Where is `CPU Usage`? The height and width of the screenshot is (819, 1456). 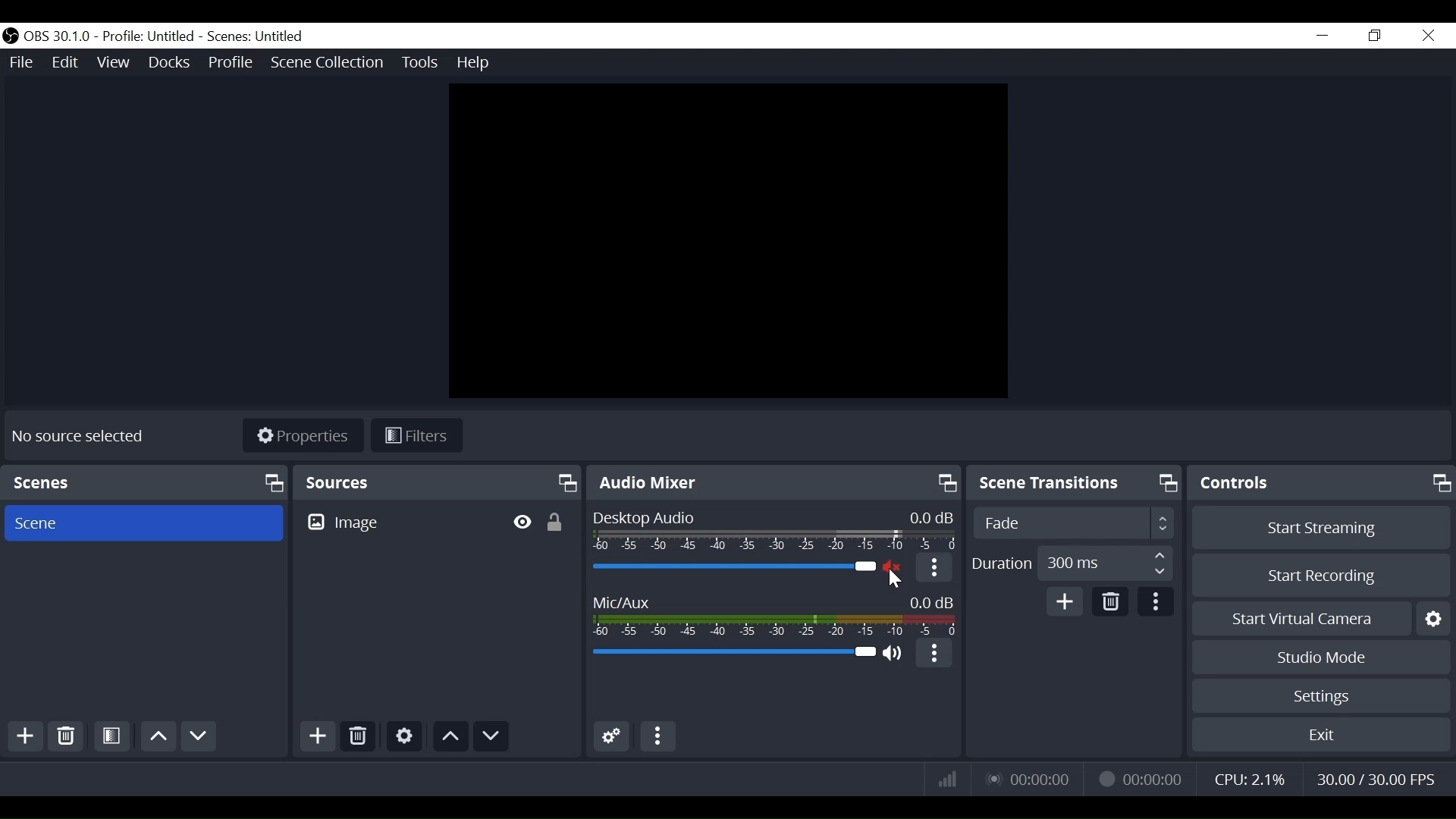 CPU Usage is located at coordinates (1250, 777).